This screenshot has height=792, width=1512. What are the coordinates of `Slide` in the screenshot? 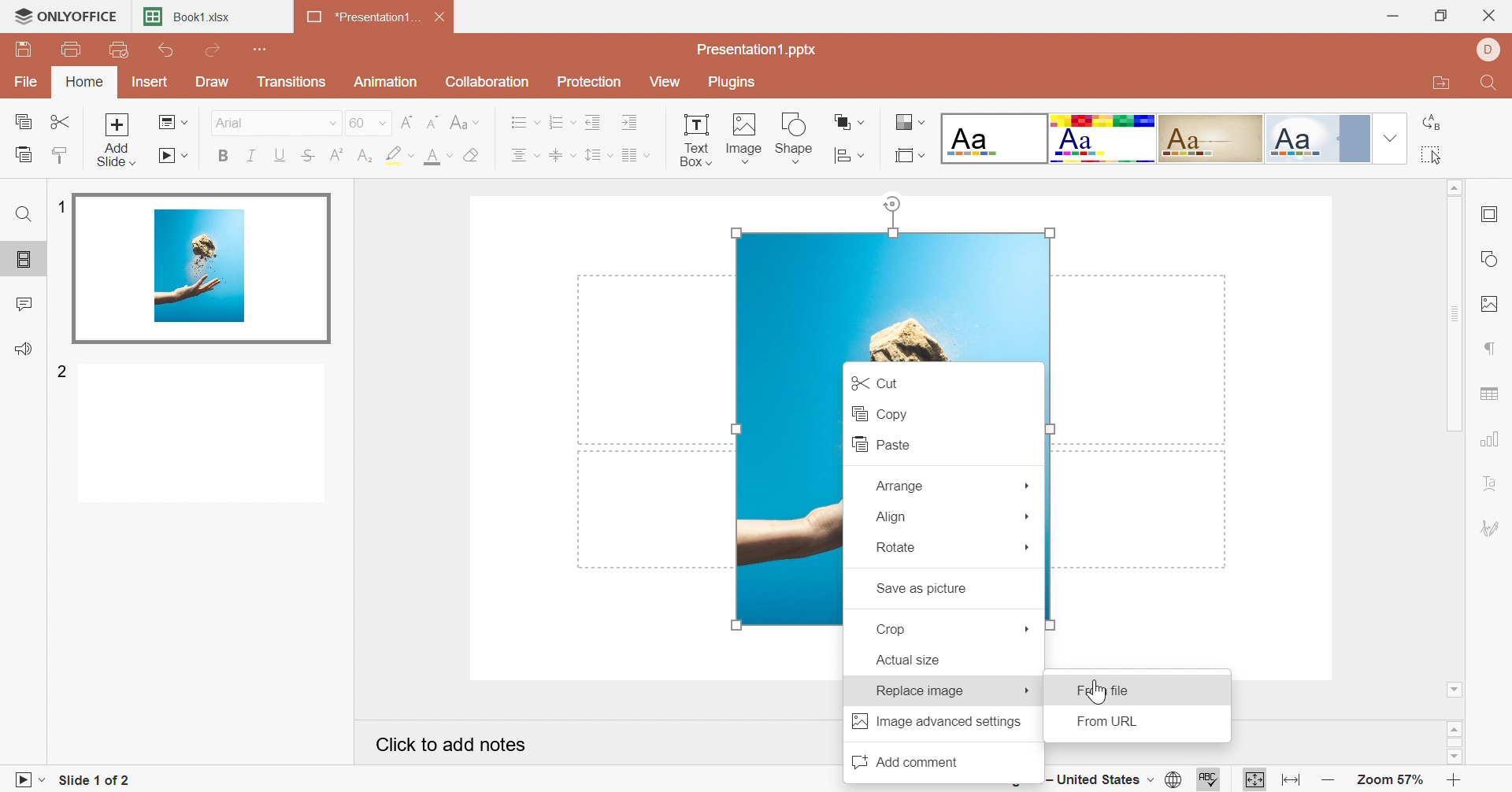 It's located at (202, 435).